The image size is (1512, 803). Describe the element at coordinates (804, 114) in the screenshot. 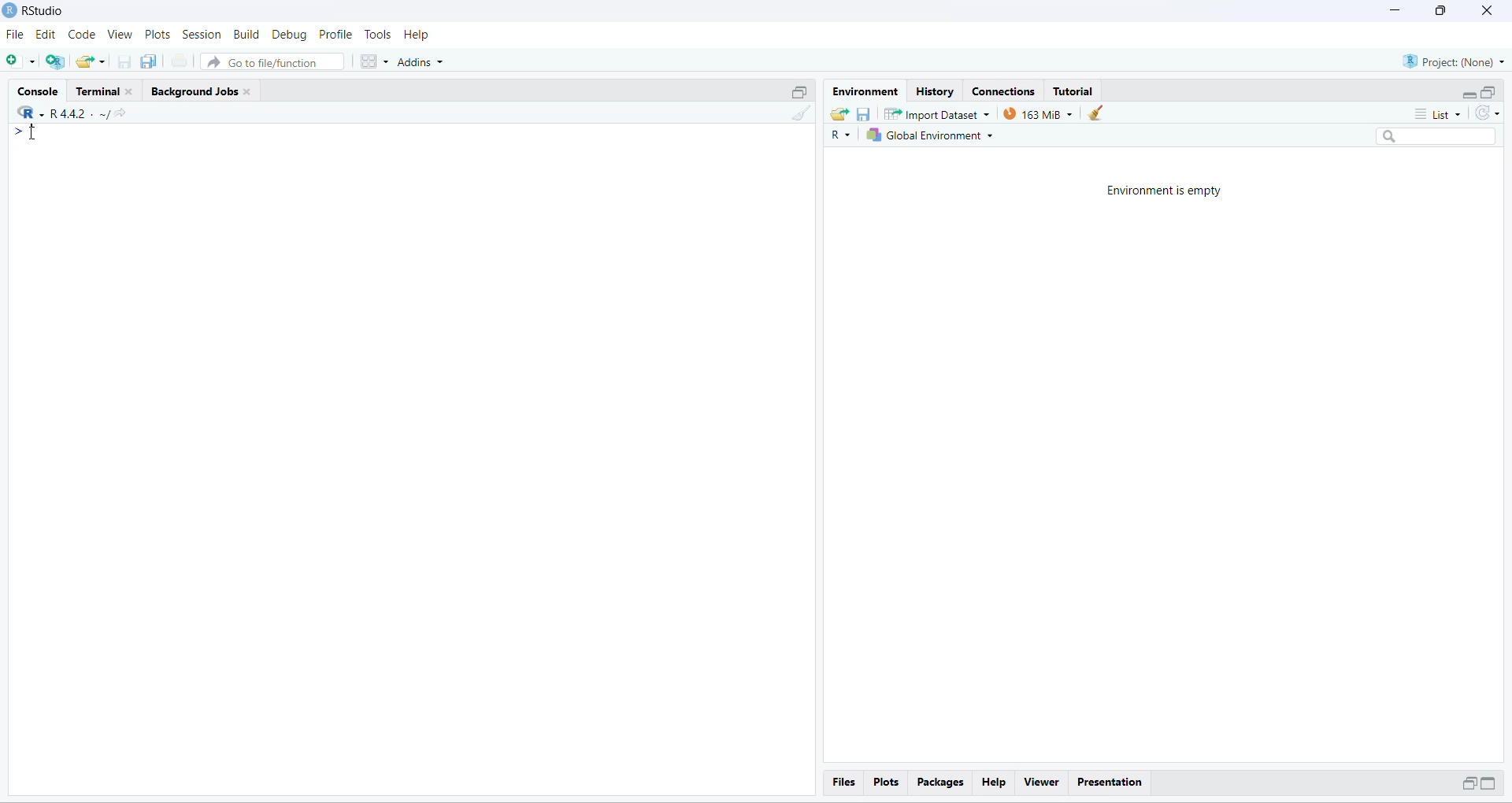

I see `clear console` at that location.